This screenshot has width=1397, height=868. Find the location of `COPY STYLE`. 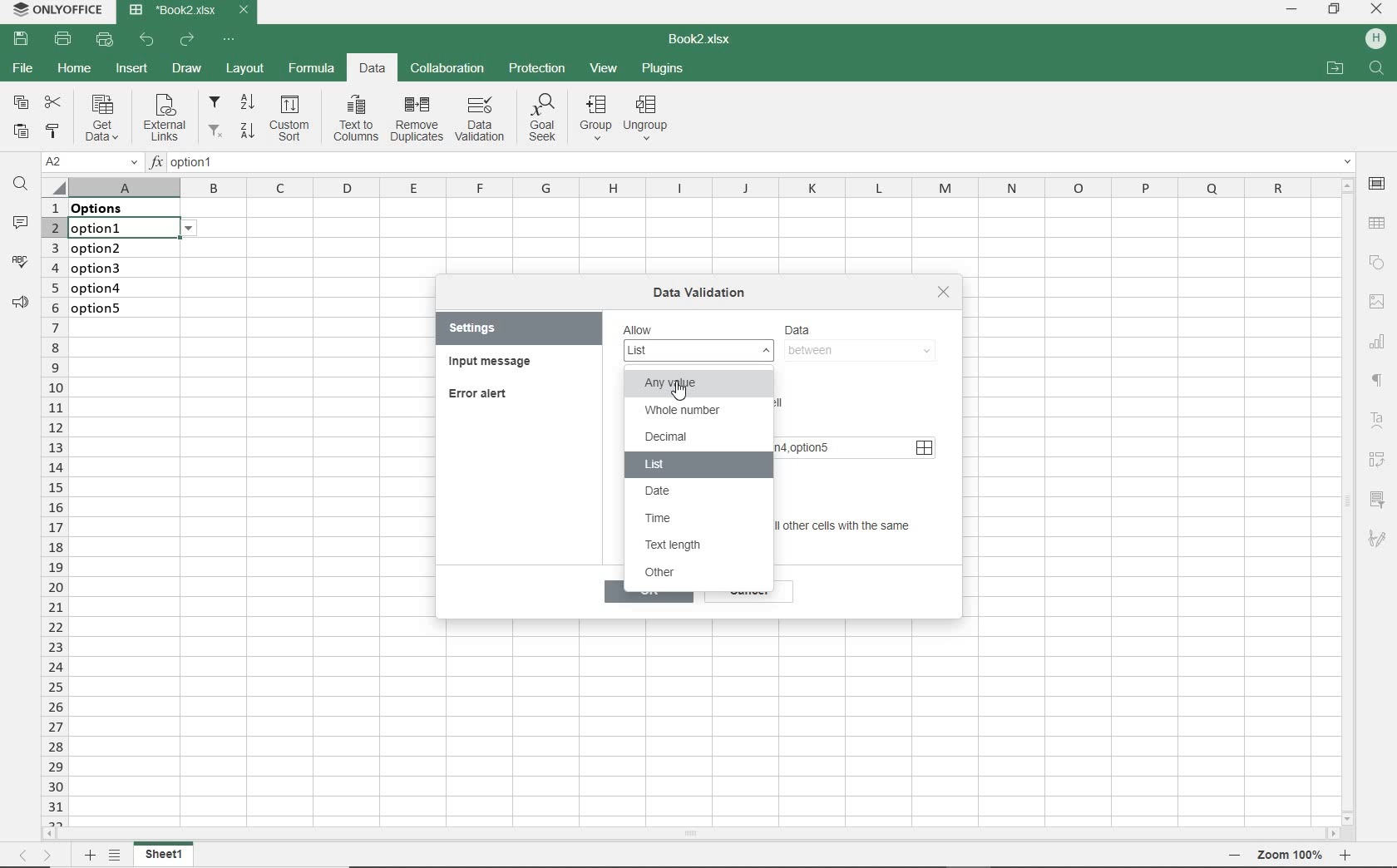

COPY STYLE is located at coordinates (53, 131).